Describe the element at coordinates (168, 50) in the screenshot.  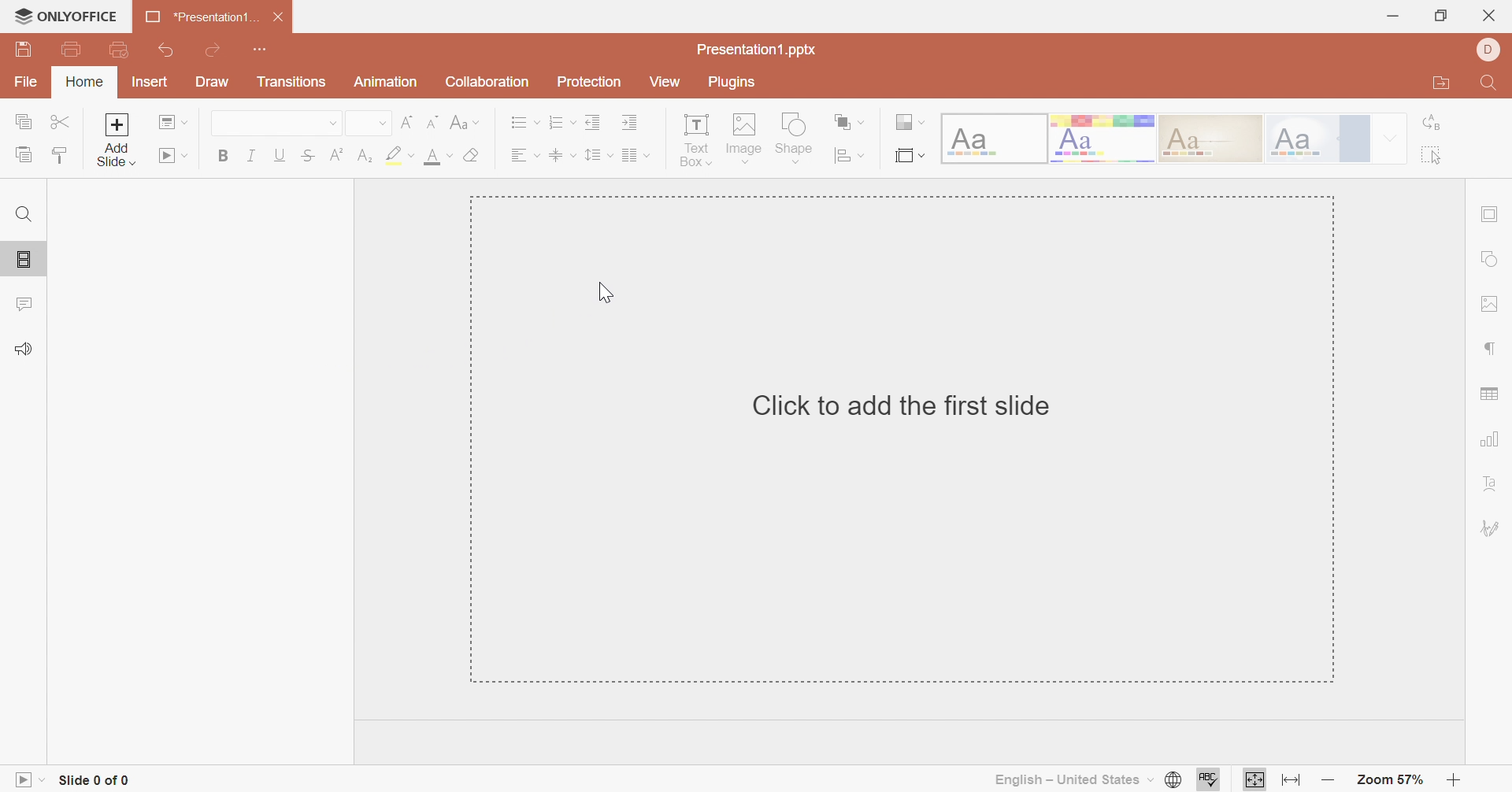
I see `Undo` at that location.